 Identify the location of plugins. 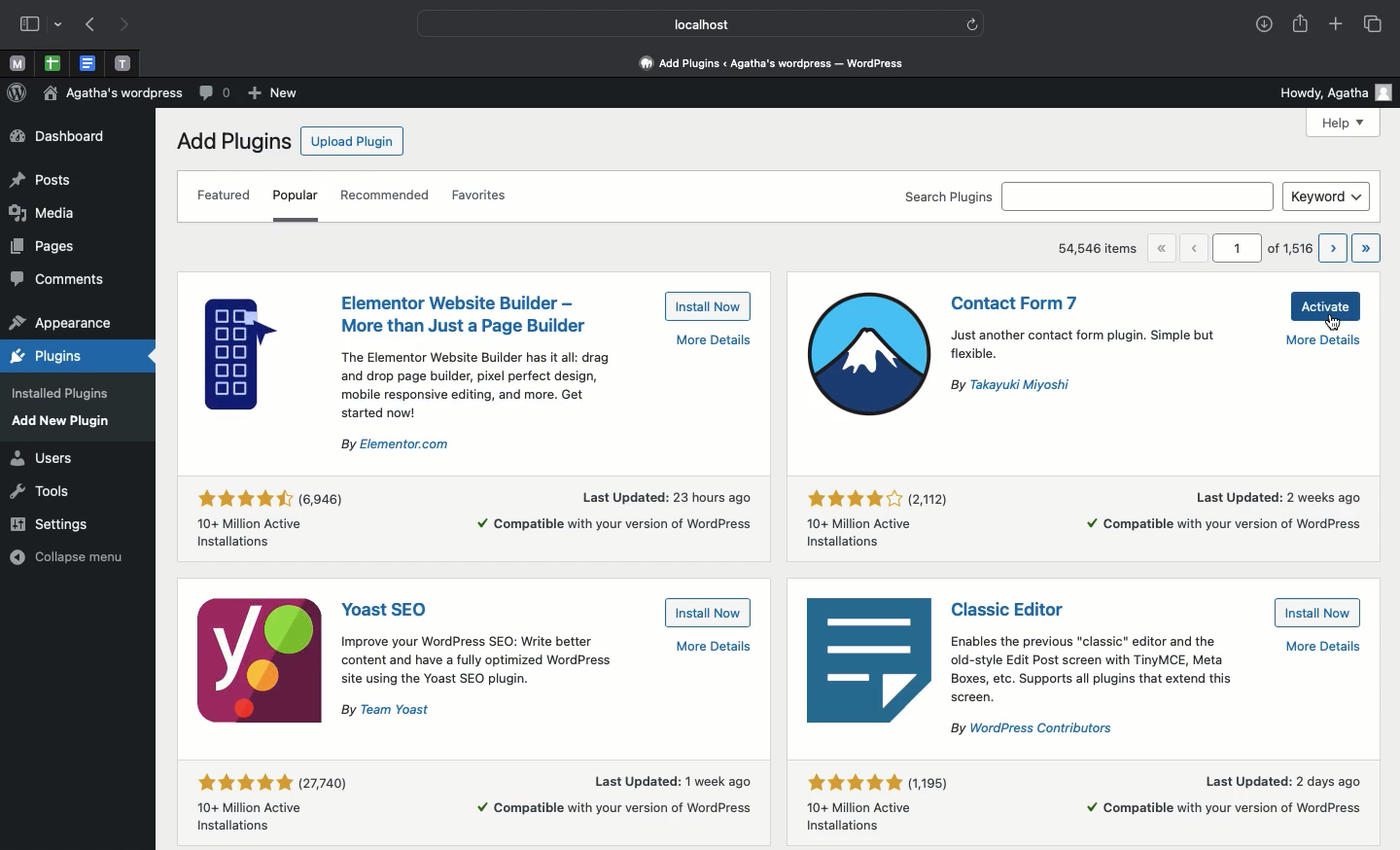
(52, 357).